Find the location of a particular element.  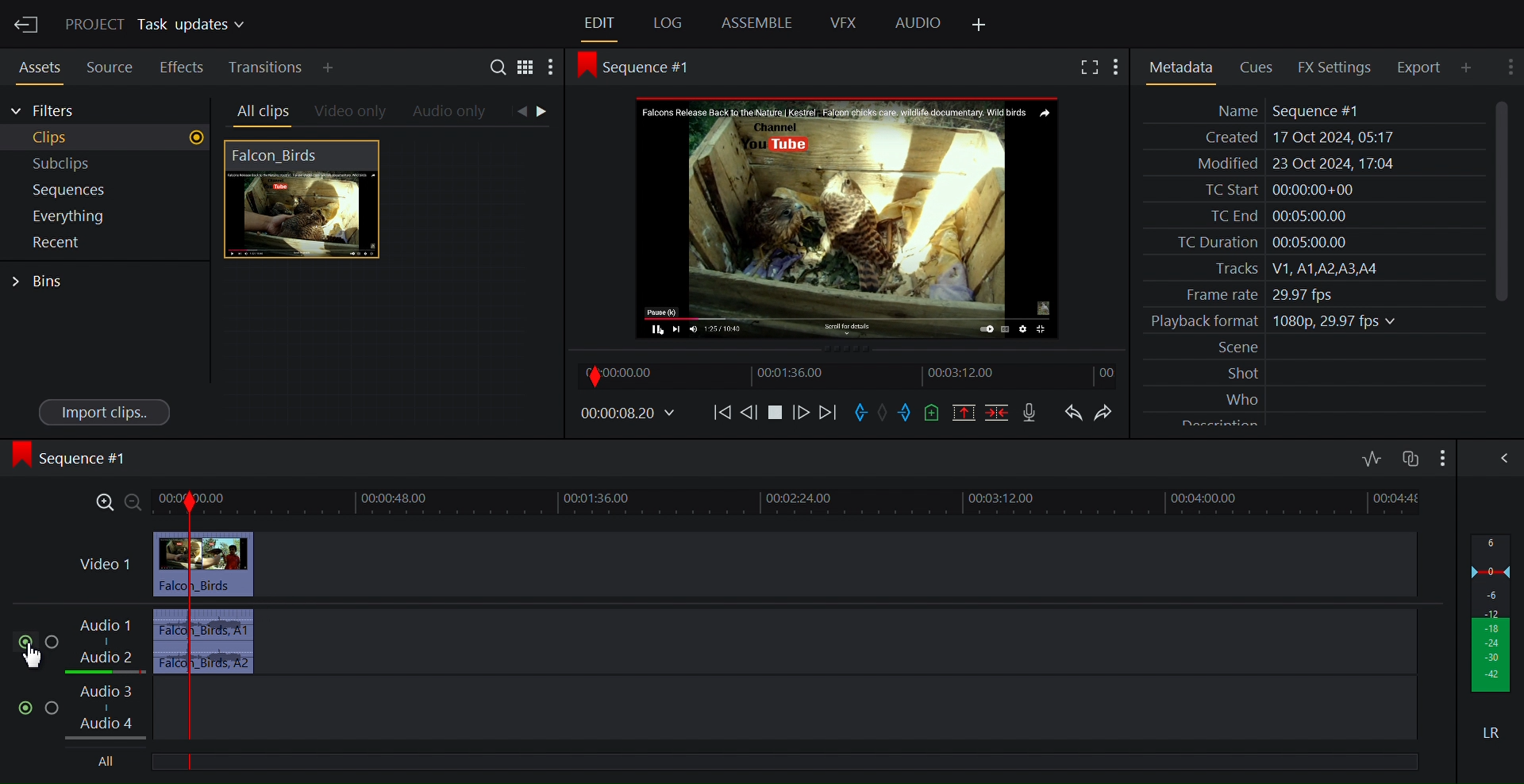

Add is located at coordinates (341, 67).